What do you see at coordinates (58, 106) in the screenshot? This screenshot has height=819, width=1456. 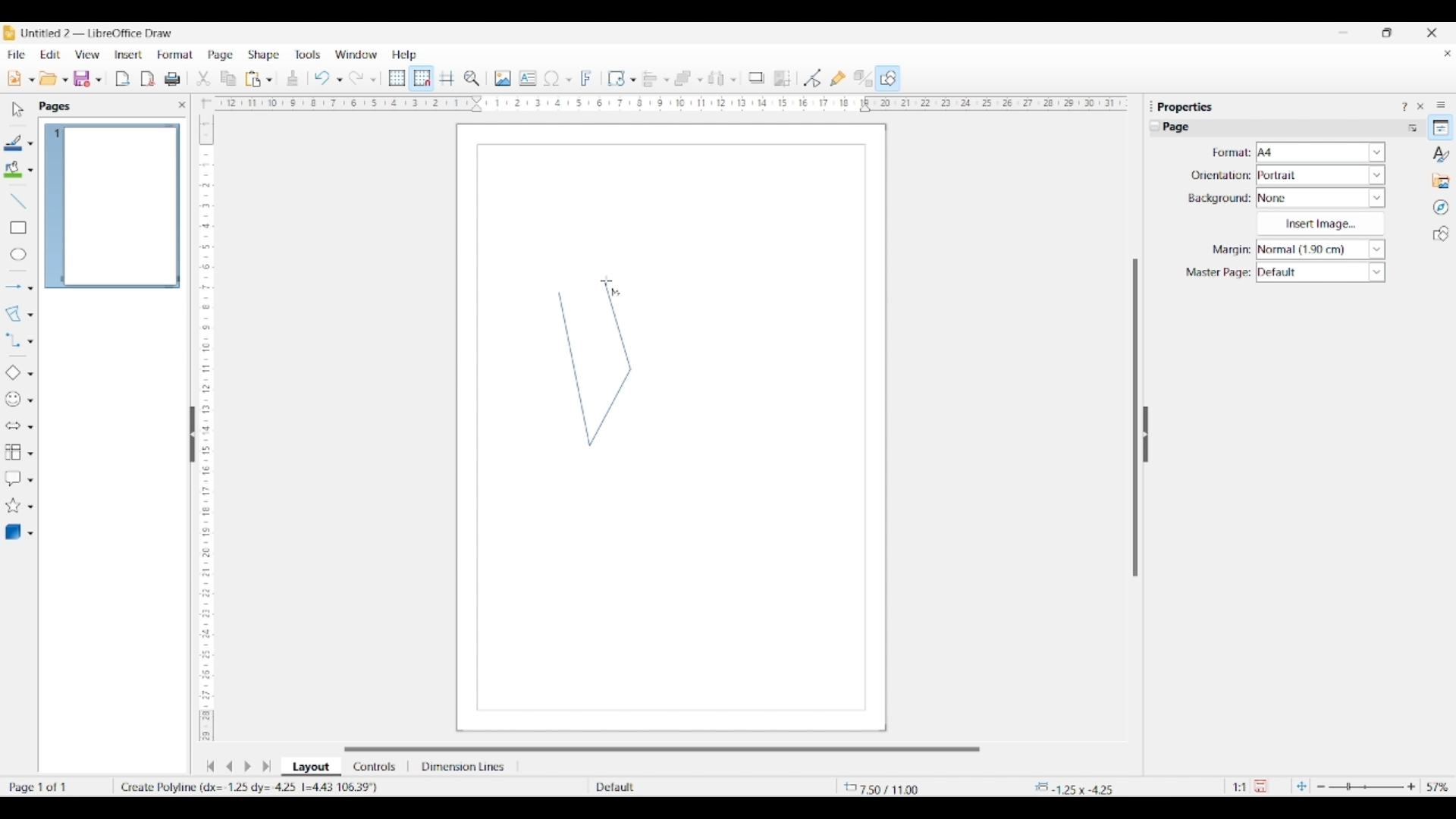 I see `Section title - Pages` at bounding box center [58, 106].